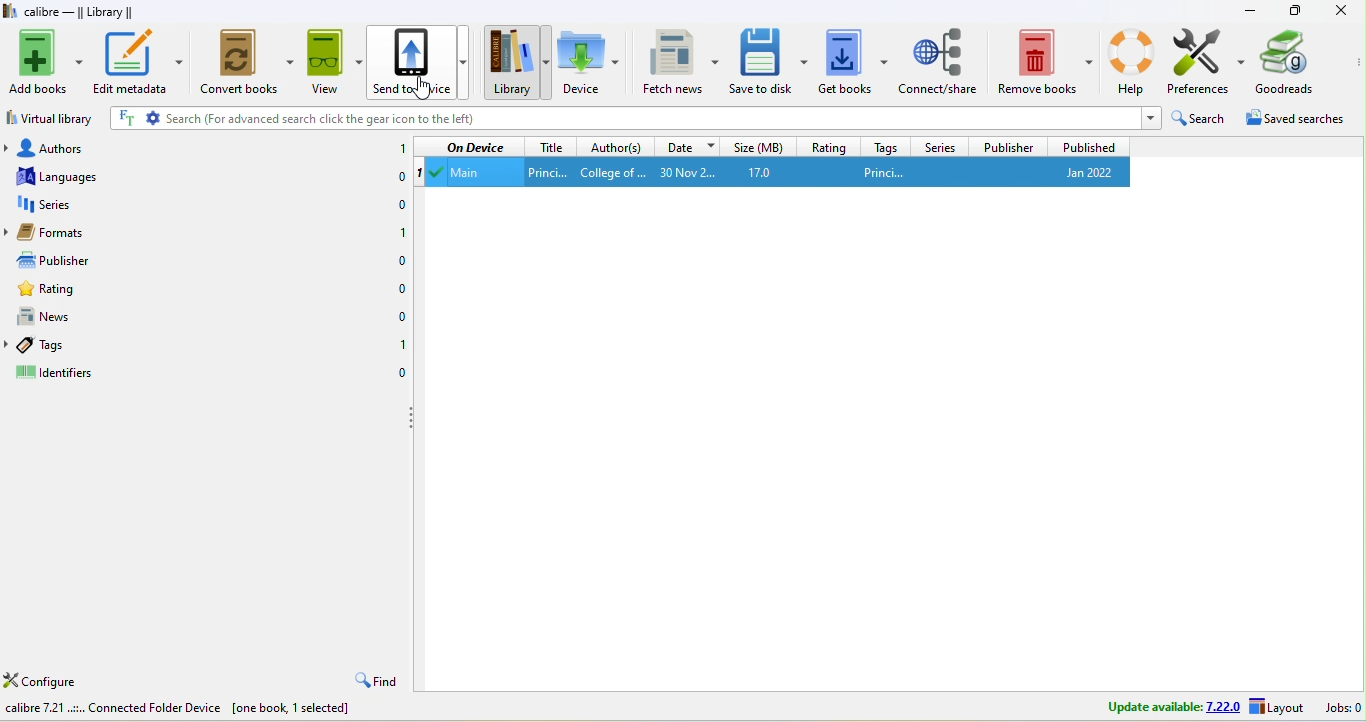 The width and height of the screenshot is (1366, 722). I want to click on remove books, so click(1045, 63).